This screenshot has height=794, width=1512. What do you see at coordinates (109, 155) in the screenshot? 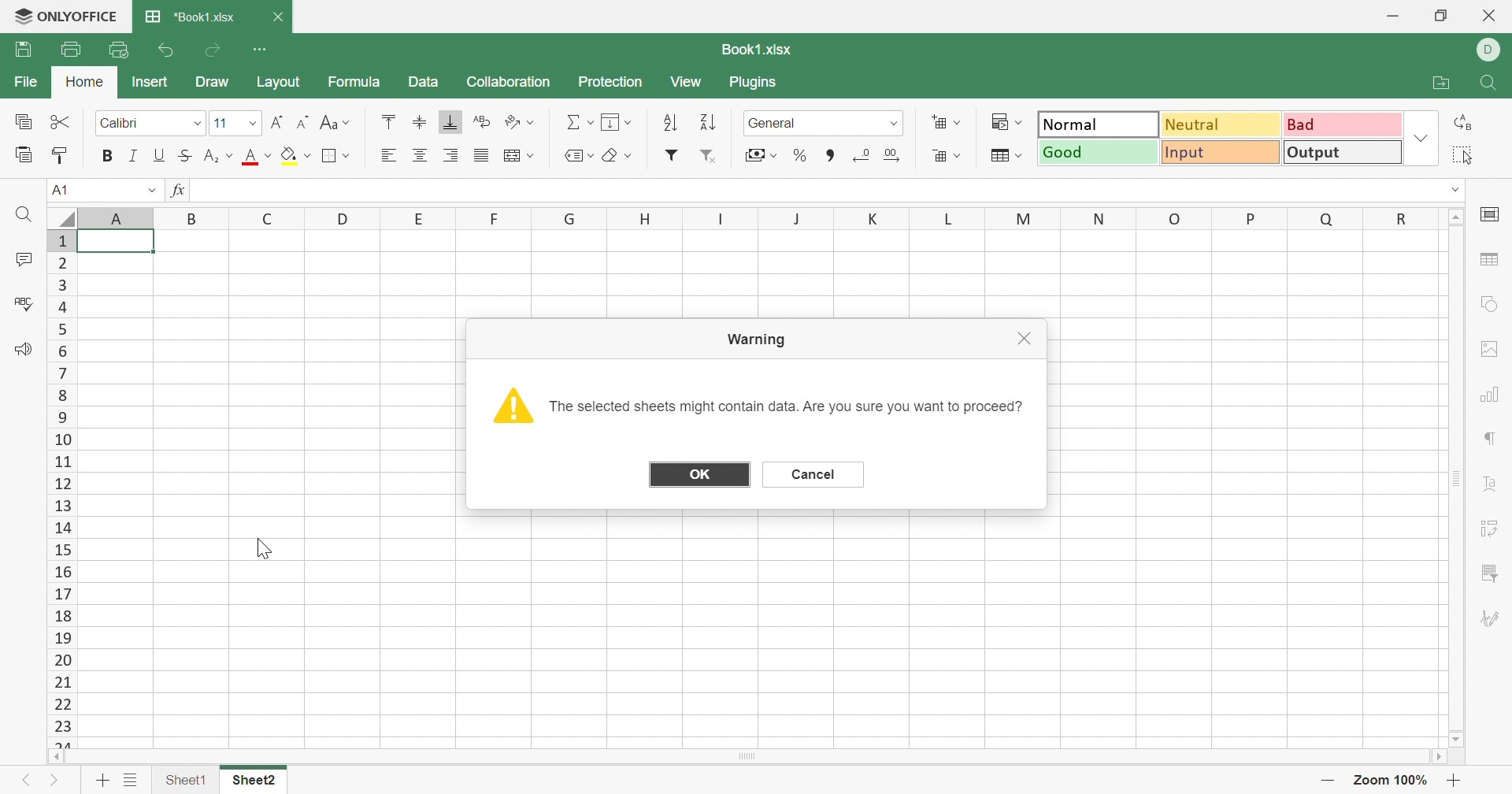
I see `Bold` at bounding box center [109, 155].